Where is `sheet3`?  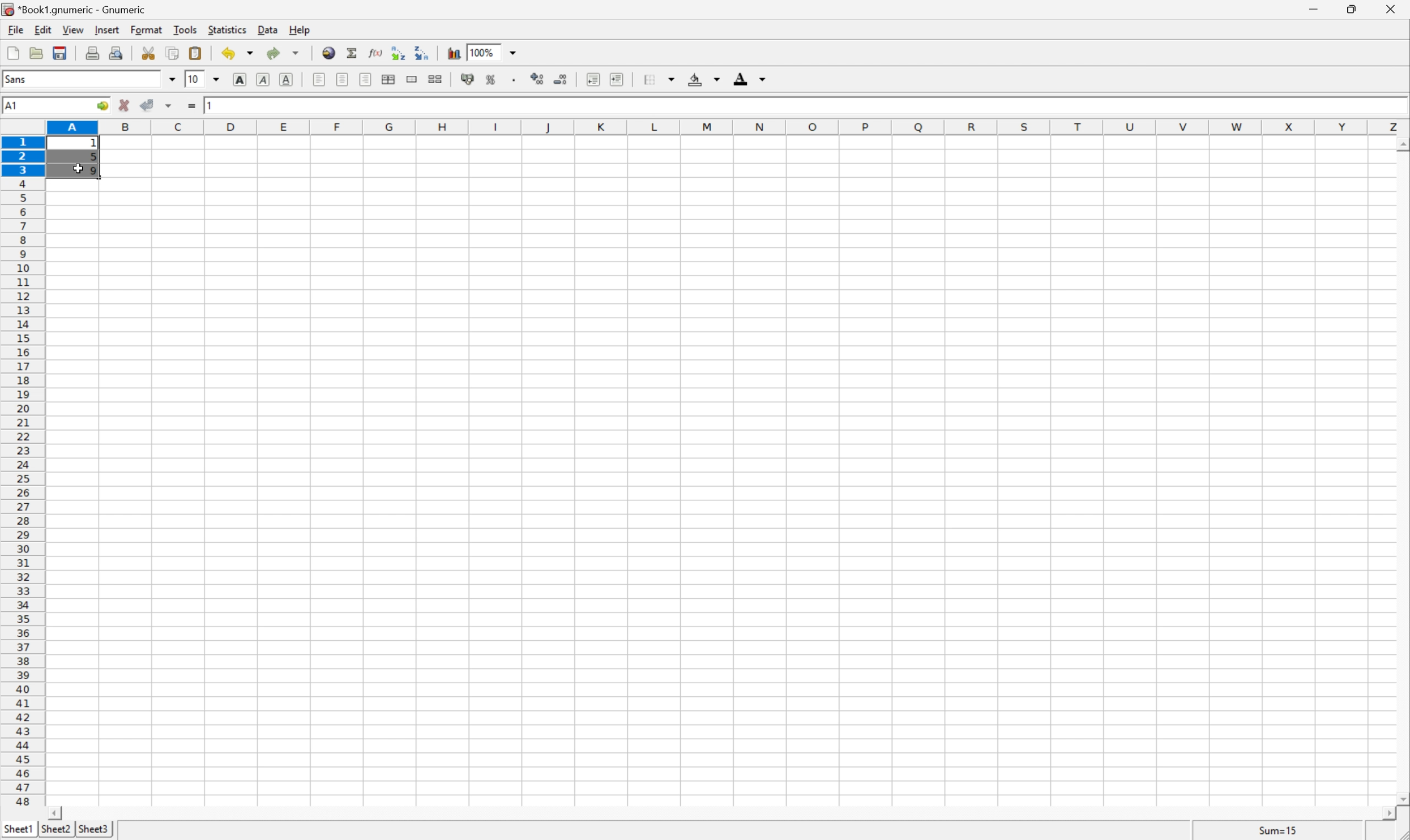 sheet3 is located at coordinates (93, 830).